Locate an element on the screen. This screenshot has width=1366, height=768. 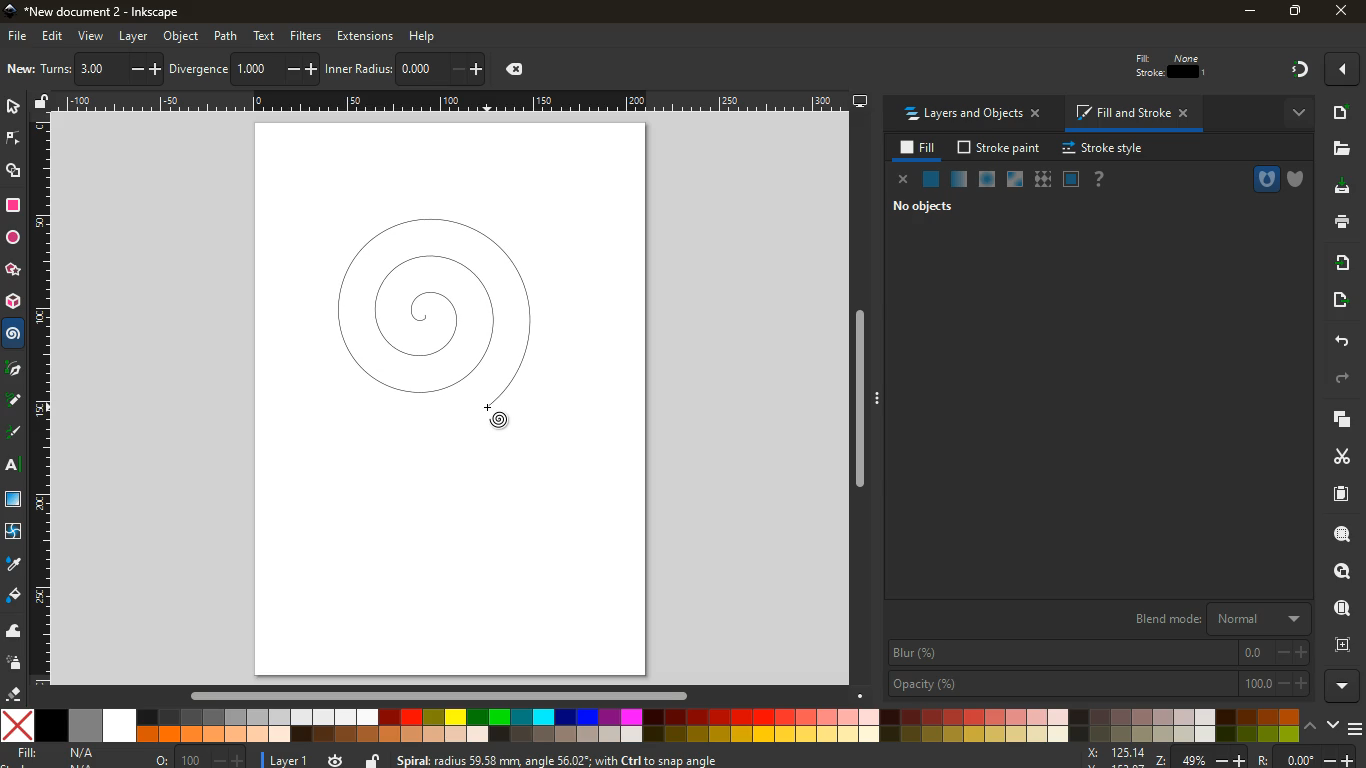
texture is located at coordinates (1042, 179).